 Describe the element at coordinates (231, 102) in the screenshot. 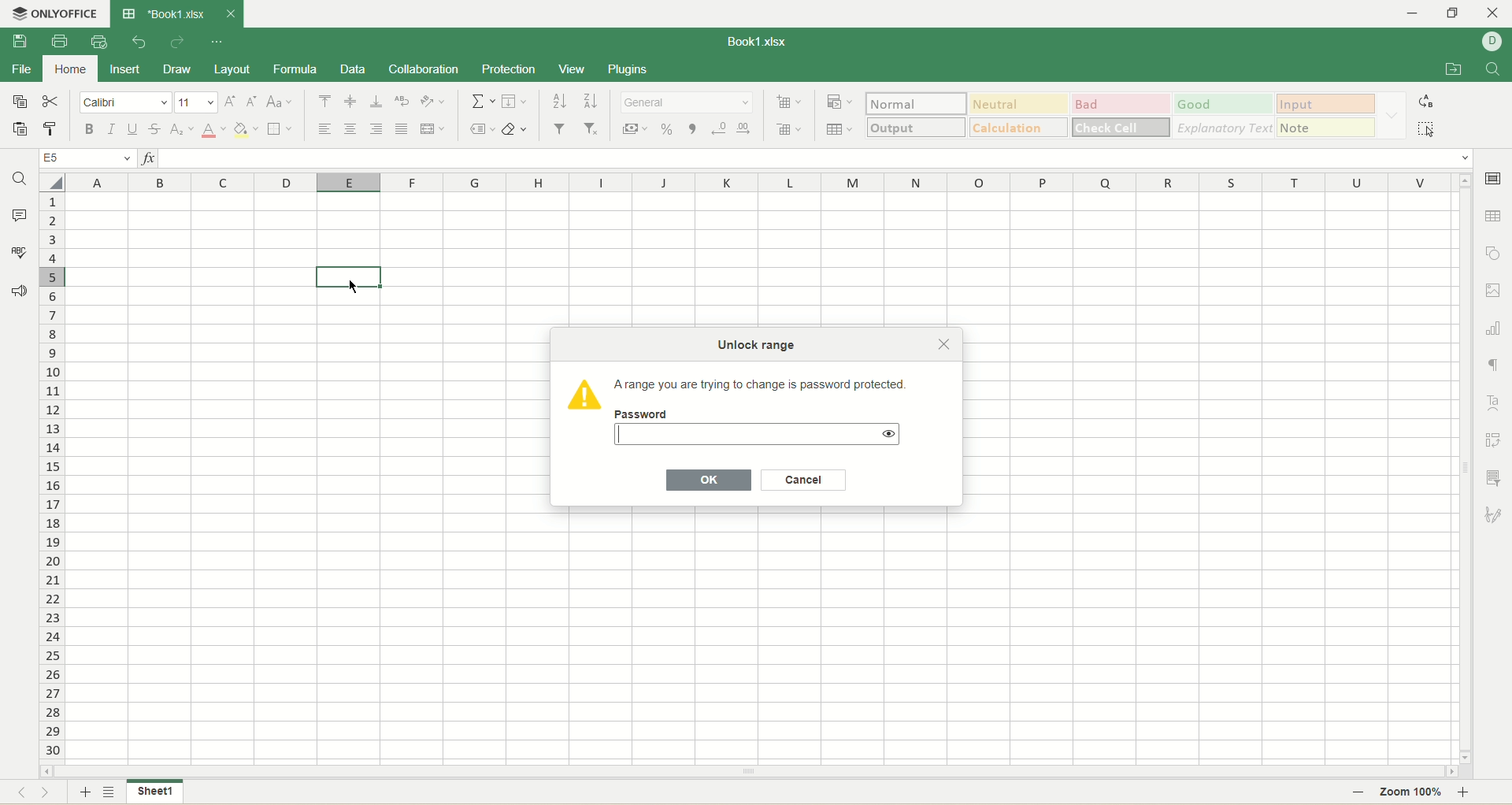

I see `increase size` at that location.